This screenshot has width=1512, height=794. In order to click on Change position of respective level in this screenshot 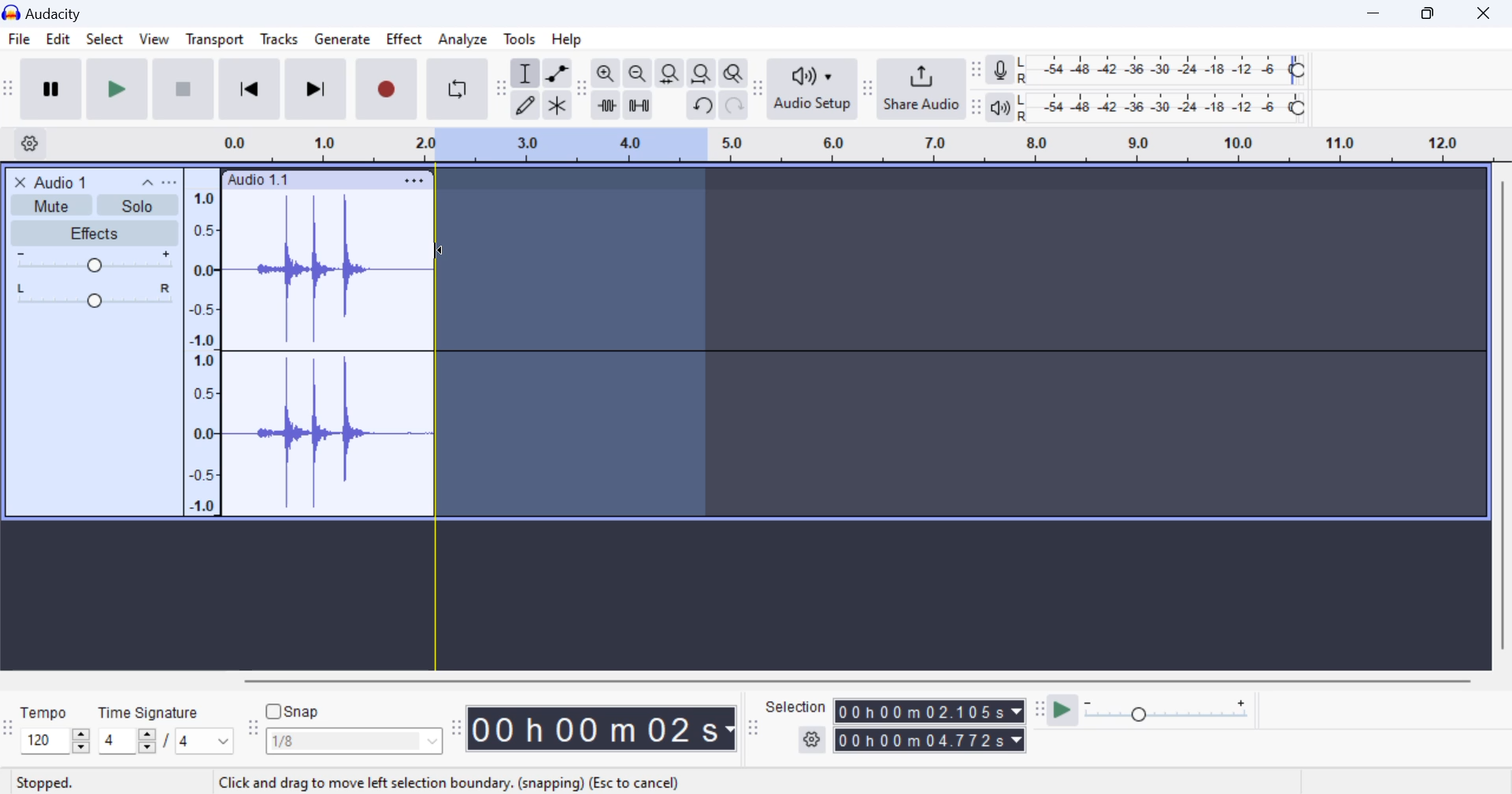, I will do `click(977, 88)`.